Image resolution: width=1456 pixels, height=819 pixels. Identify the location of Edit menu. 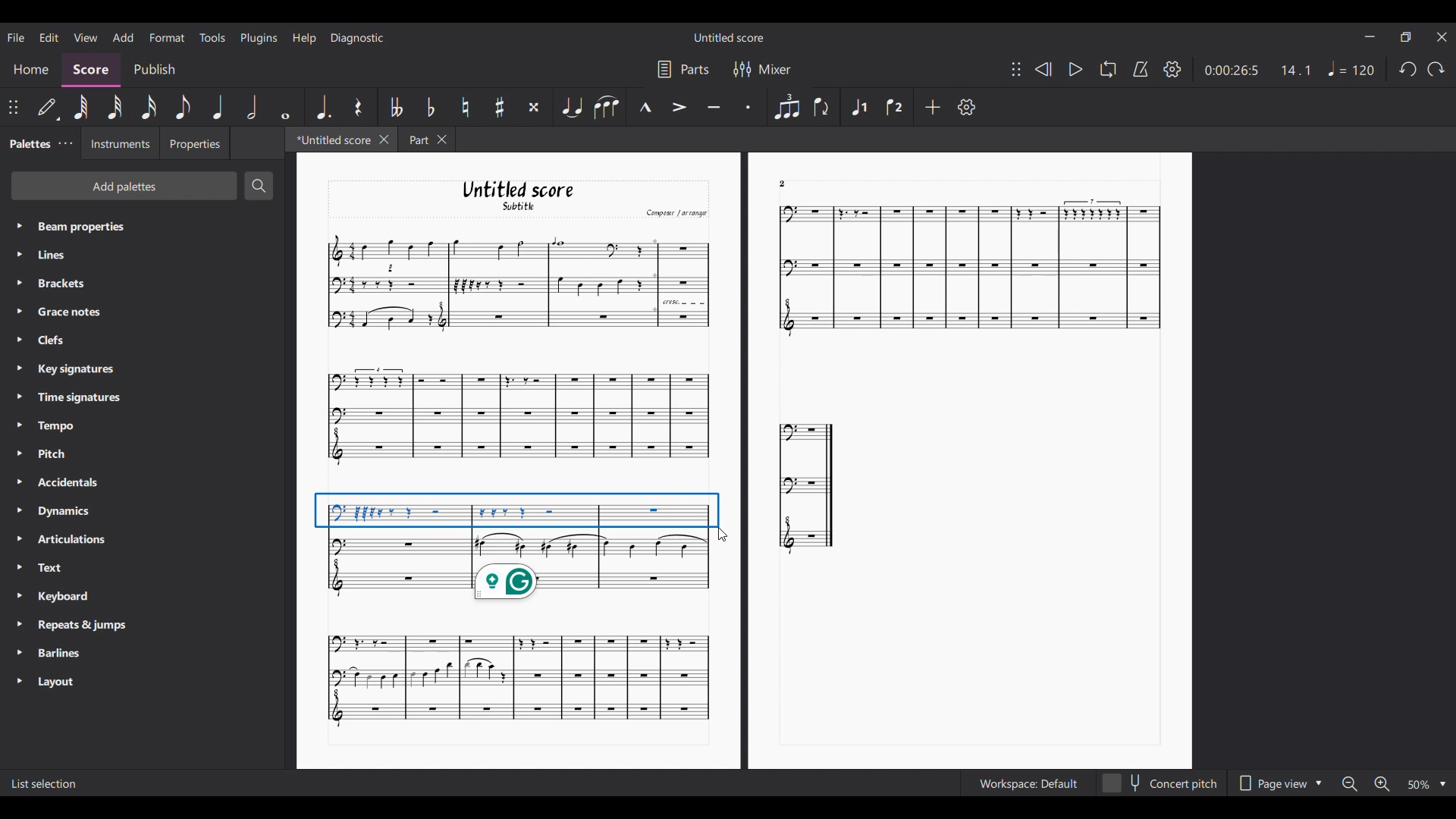
(49, 37).